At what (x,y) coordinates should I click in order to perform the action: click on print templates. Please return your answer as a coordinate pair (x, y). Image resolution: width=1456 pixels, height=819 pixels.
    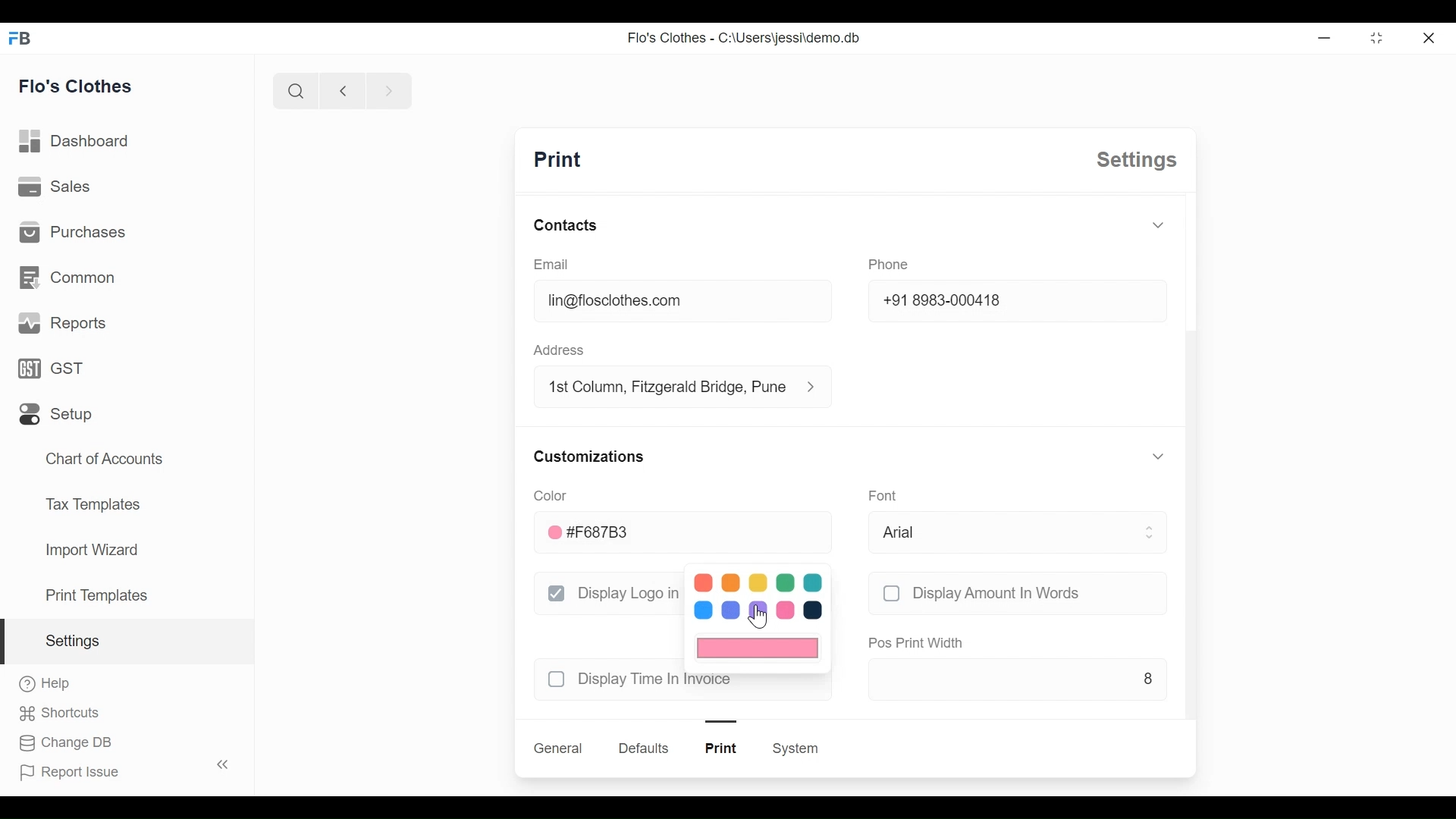
    Looking at the image, I should click on (97, 595).